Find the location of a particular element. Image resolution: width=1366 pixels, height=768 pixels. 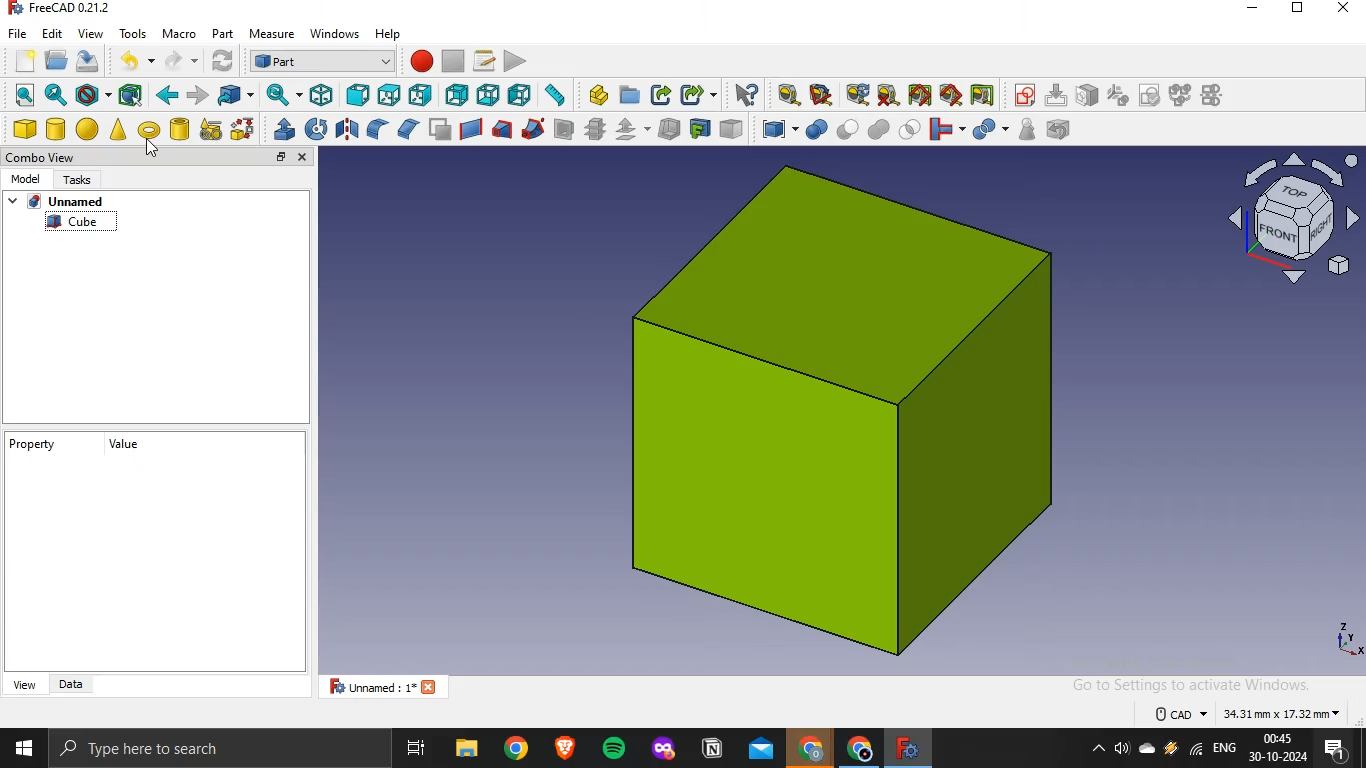

fit selection is located at coordinates (53, 93).